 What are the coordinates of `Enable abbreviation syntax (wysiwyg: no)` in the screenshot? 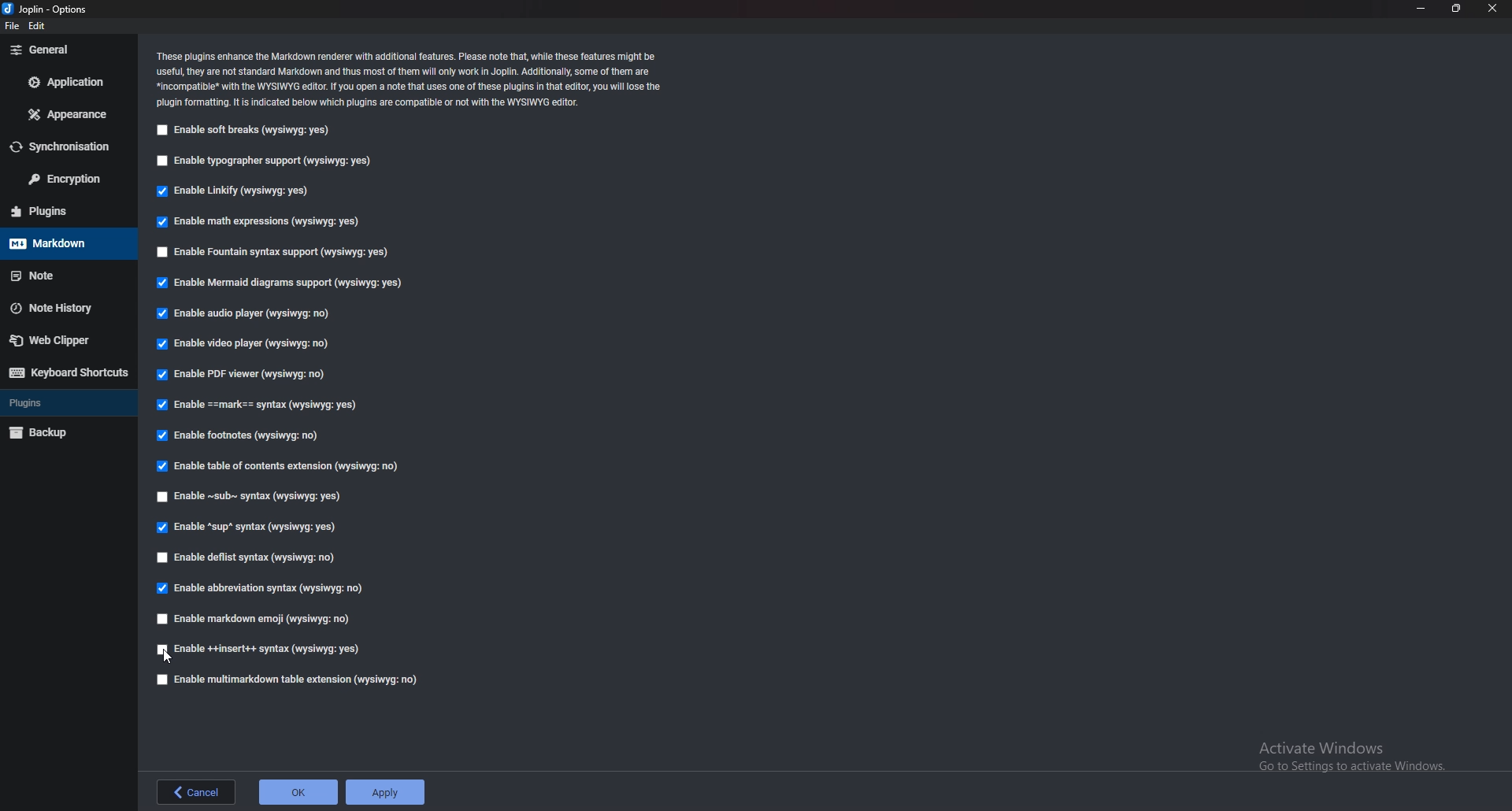 It's located at (258, 589).